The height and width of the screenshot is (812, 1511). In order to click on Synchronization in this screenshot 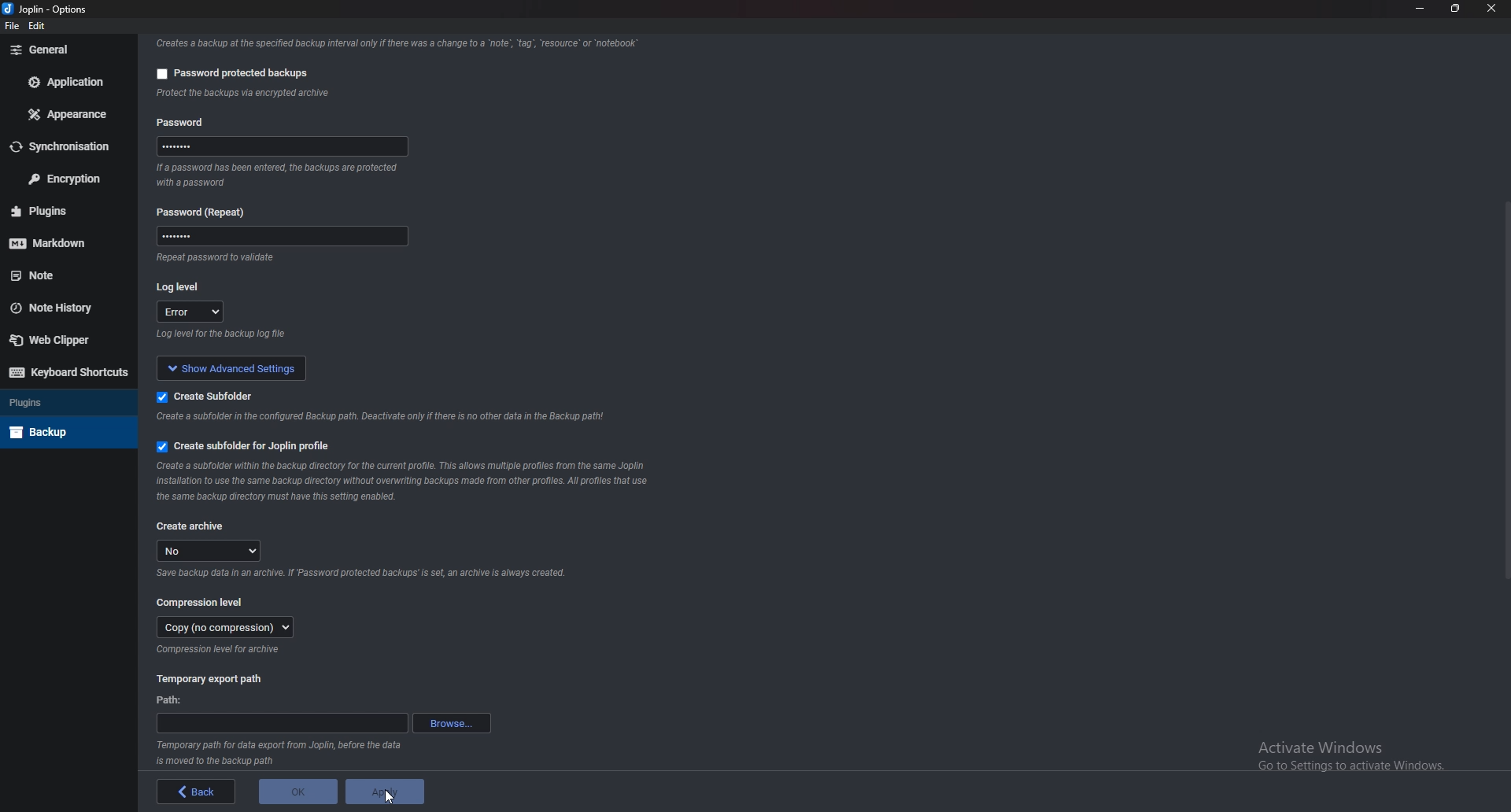, I will do `click(68, 146)`.